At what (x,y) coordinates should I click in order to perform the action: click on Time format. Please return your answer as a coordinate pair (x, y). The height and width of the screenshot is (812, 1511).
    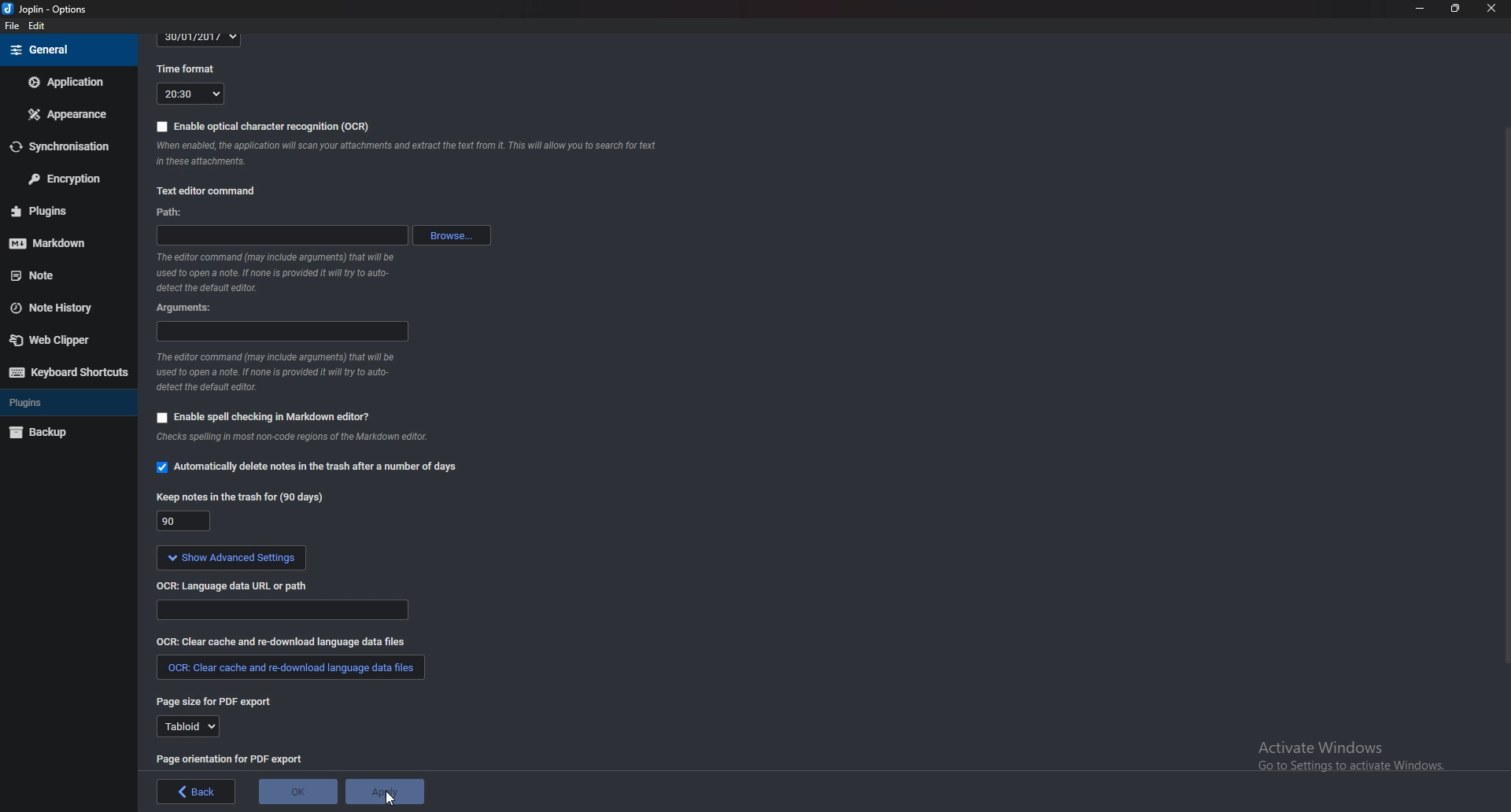
    Looking at the image, I should click on (191, 68).